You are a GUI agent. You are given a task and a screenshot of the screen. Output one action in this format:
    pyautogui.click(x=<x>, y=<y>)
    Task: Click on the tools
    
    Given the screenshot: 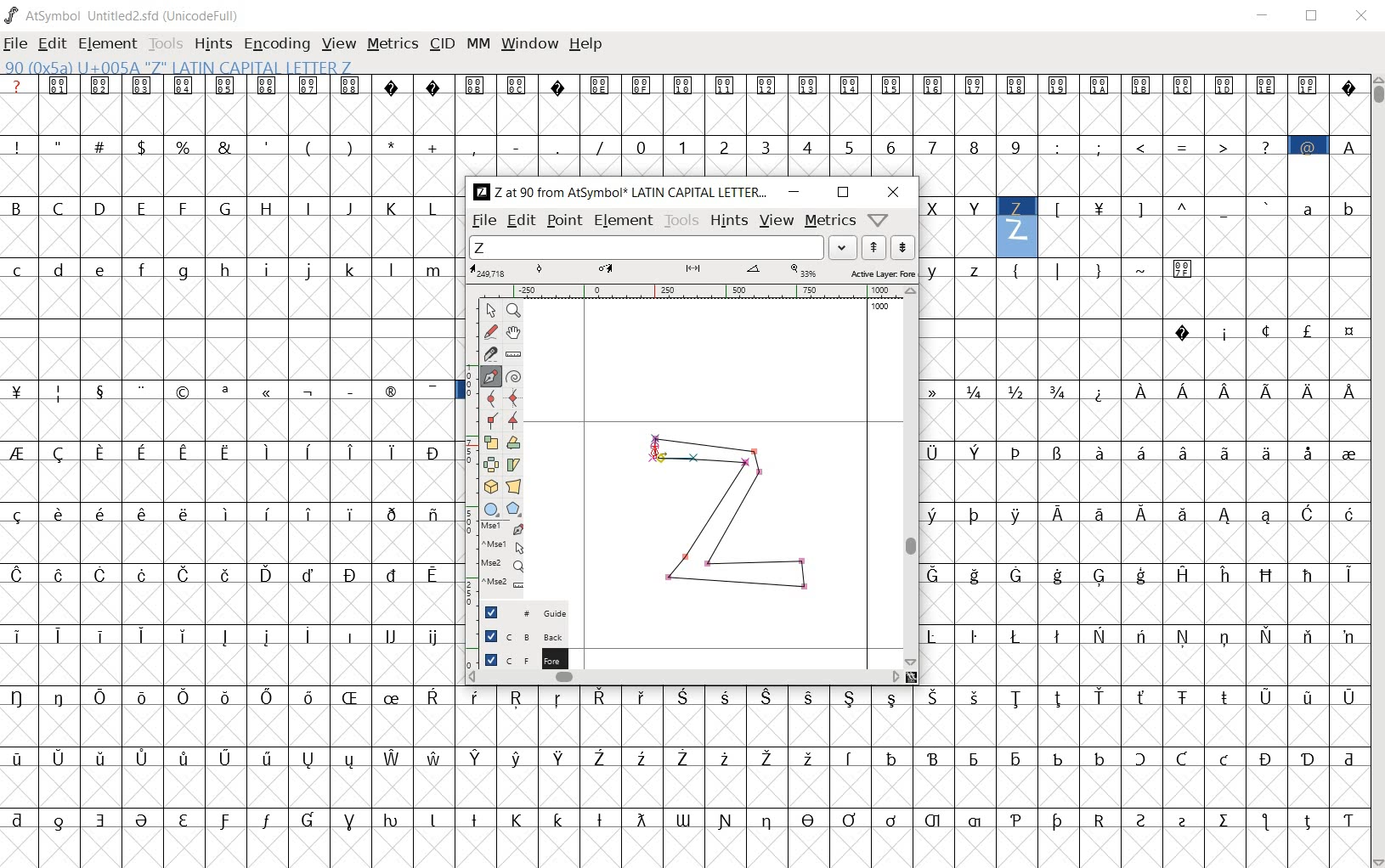 What is the action you would take?
    pyautogui.click(x=167, y=42)
    